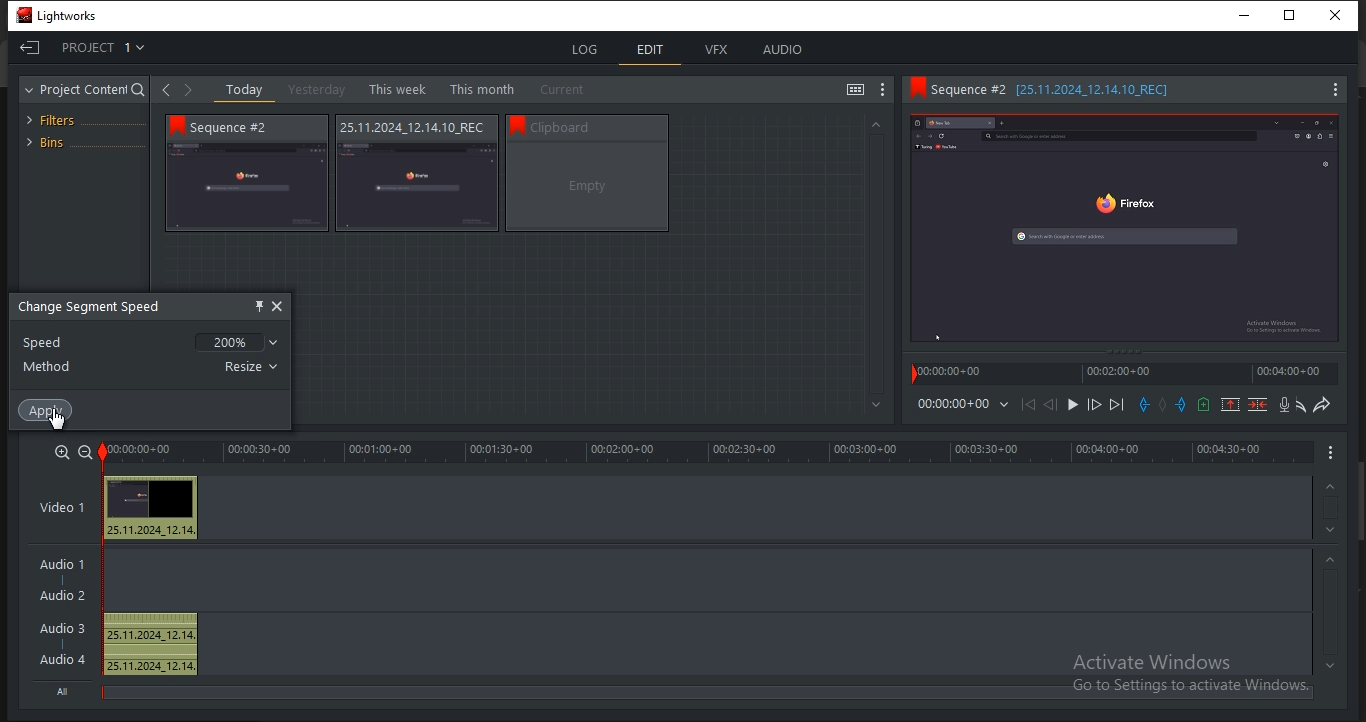 The image size is (1366, 722). Describe the element at coordinates (80, 141) in the screenshot. I see `bins` at that location.